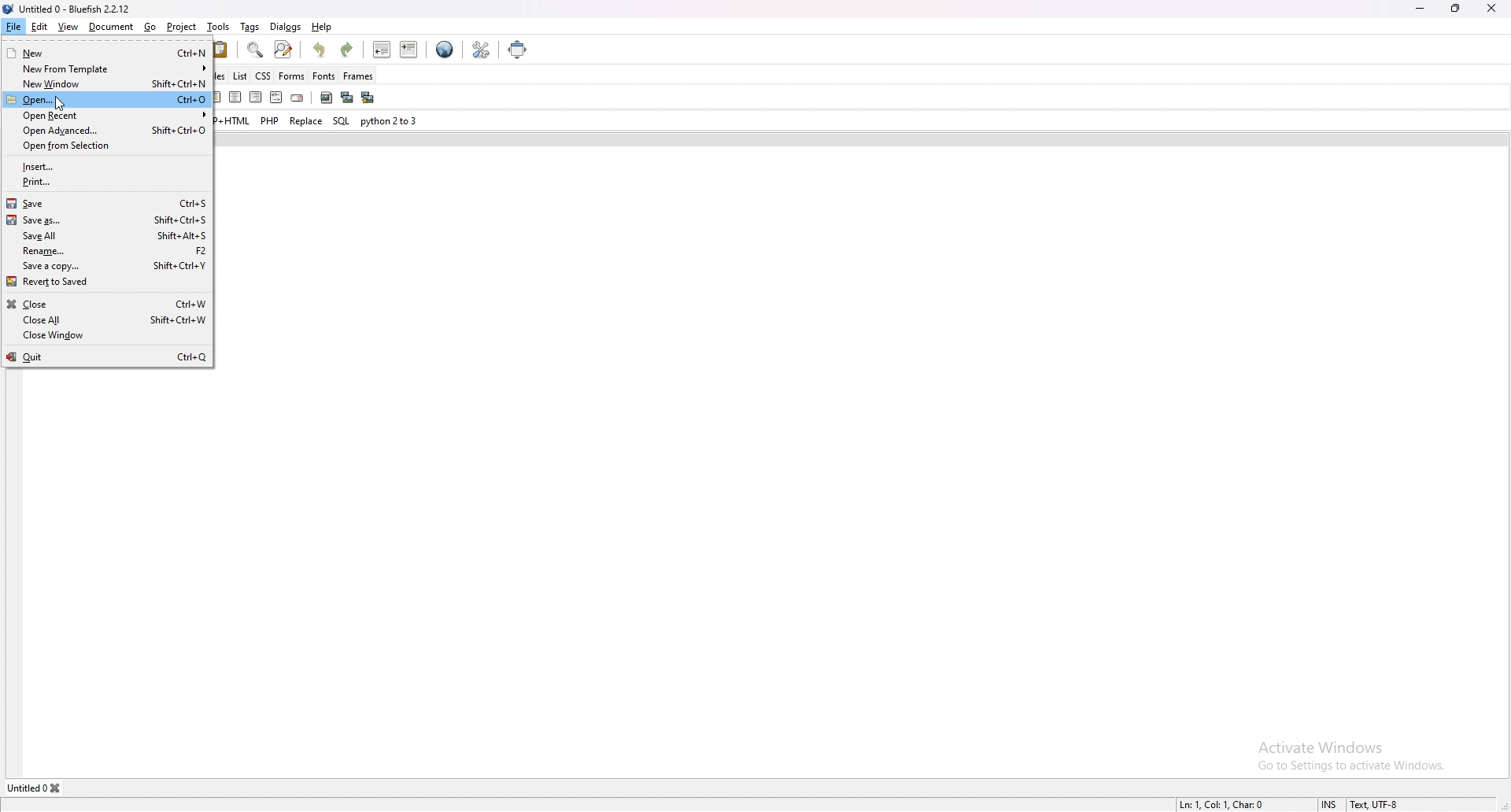  I want to click on edit in browser, so click(445, 50).